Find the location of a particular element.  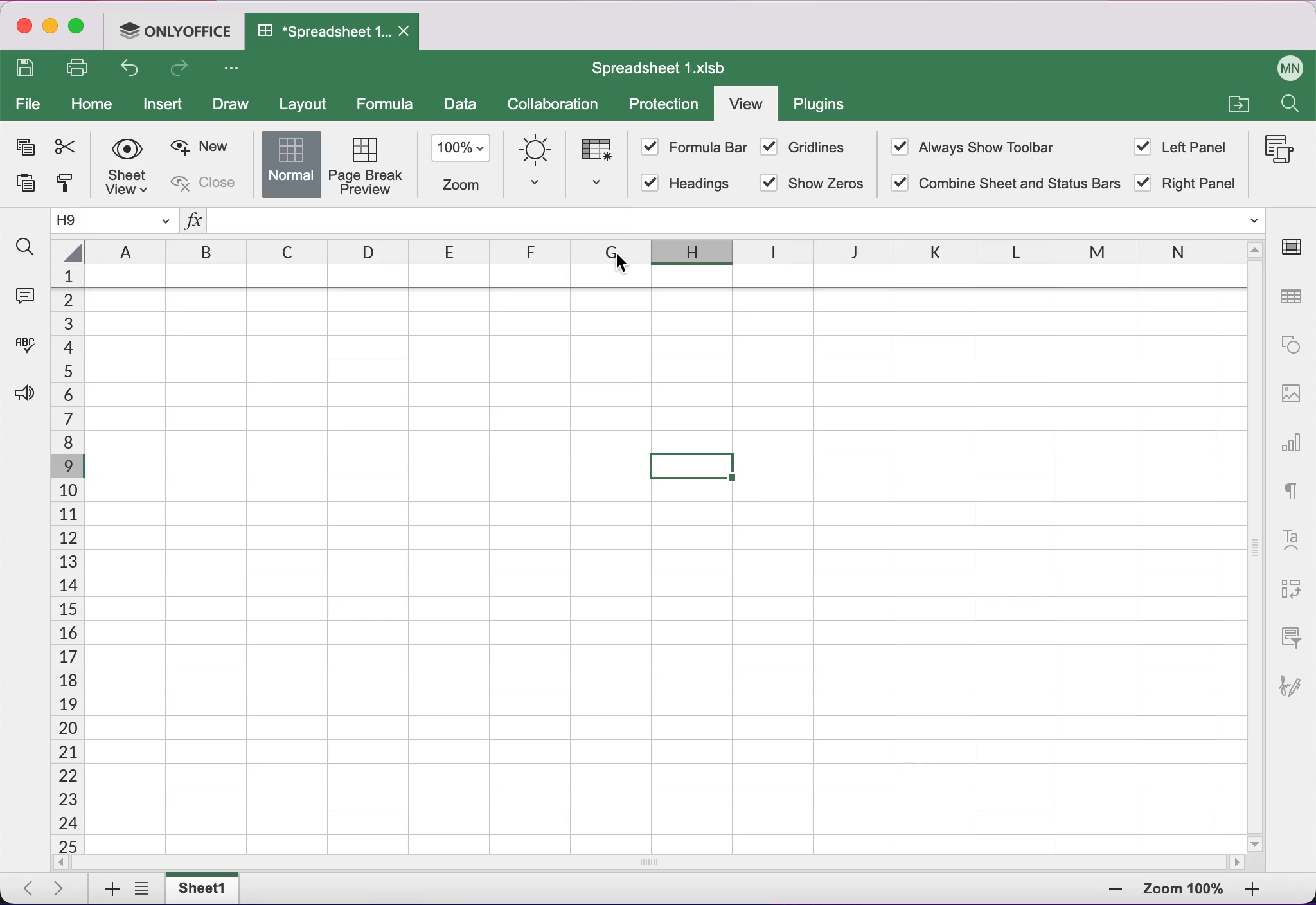

minimize is located at coordinates (51, 26).